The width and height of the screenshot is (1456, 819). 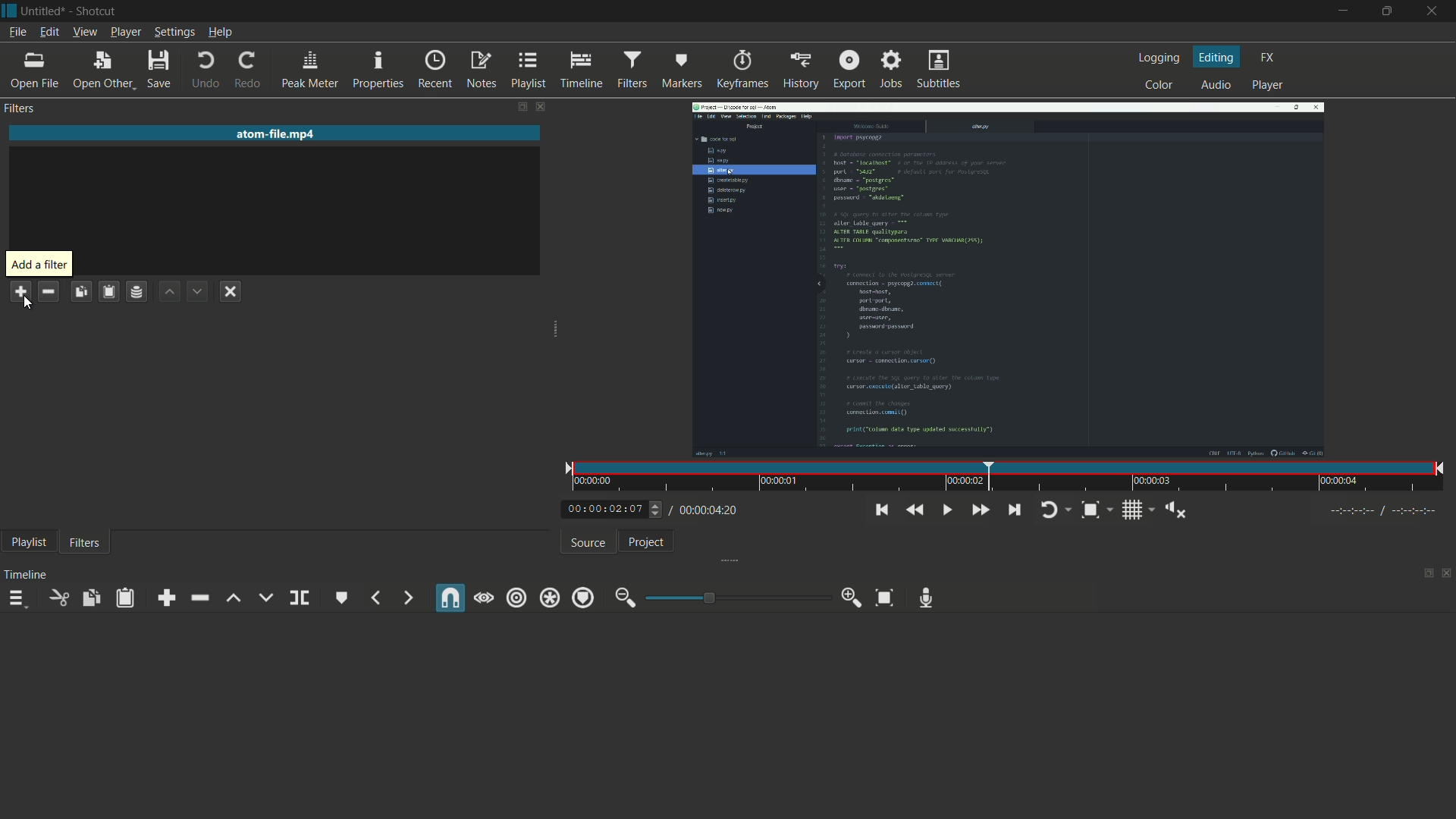 I want to click on recent, so click(x=433, y=70).